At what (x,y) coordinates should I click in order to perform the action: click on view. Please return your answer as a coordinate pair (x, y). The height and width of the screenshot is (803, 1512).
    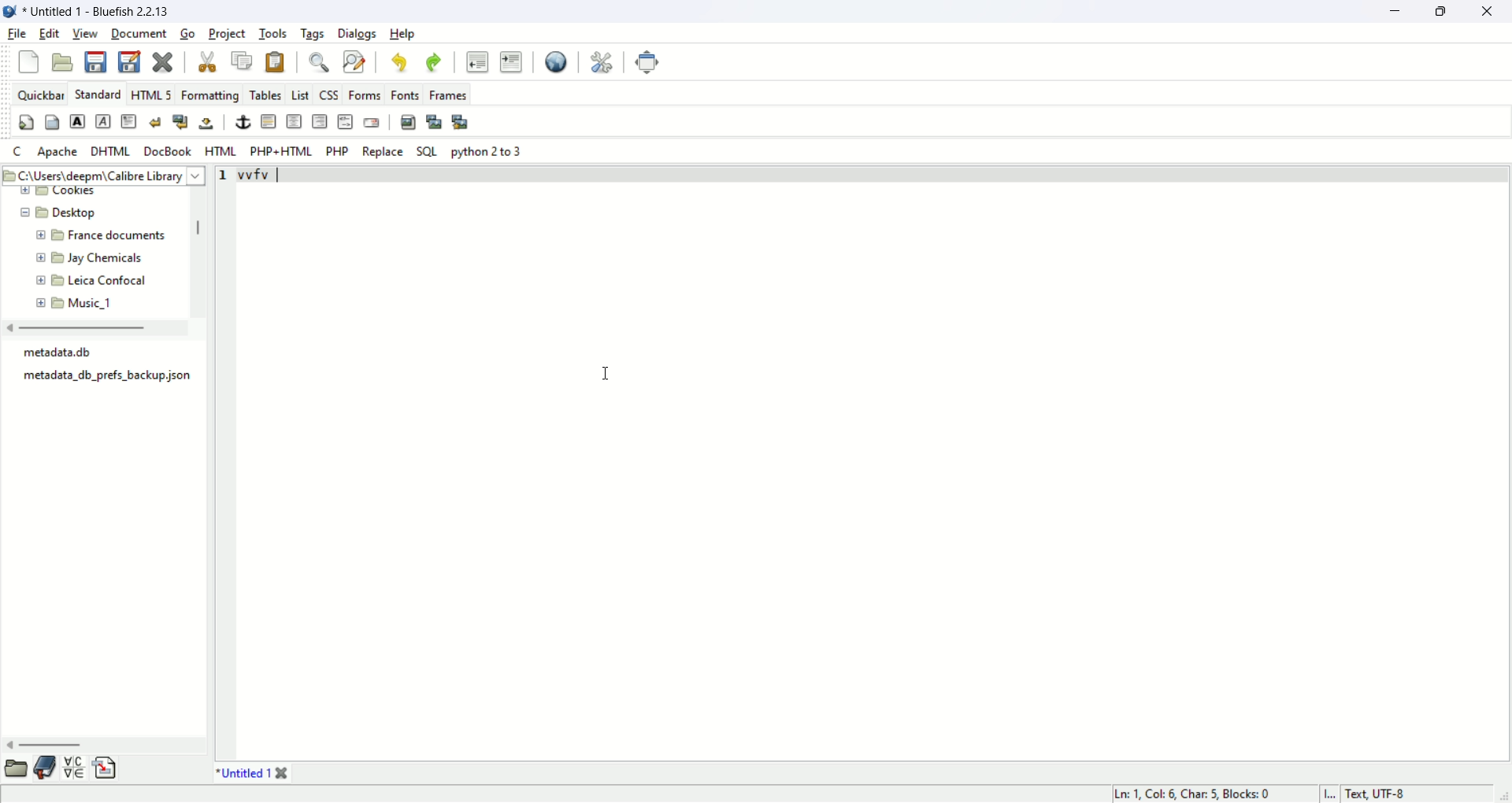
    Looking at the image, I should click on (84, 34).